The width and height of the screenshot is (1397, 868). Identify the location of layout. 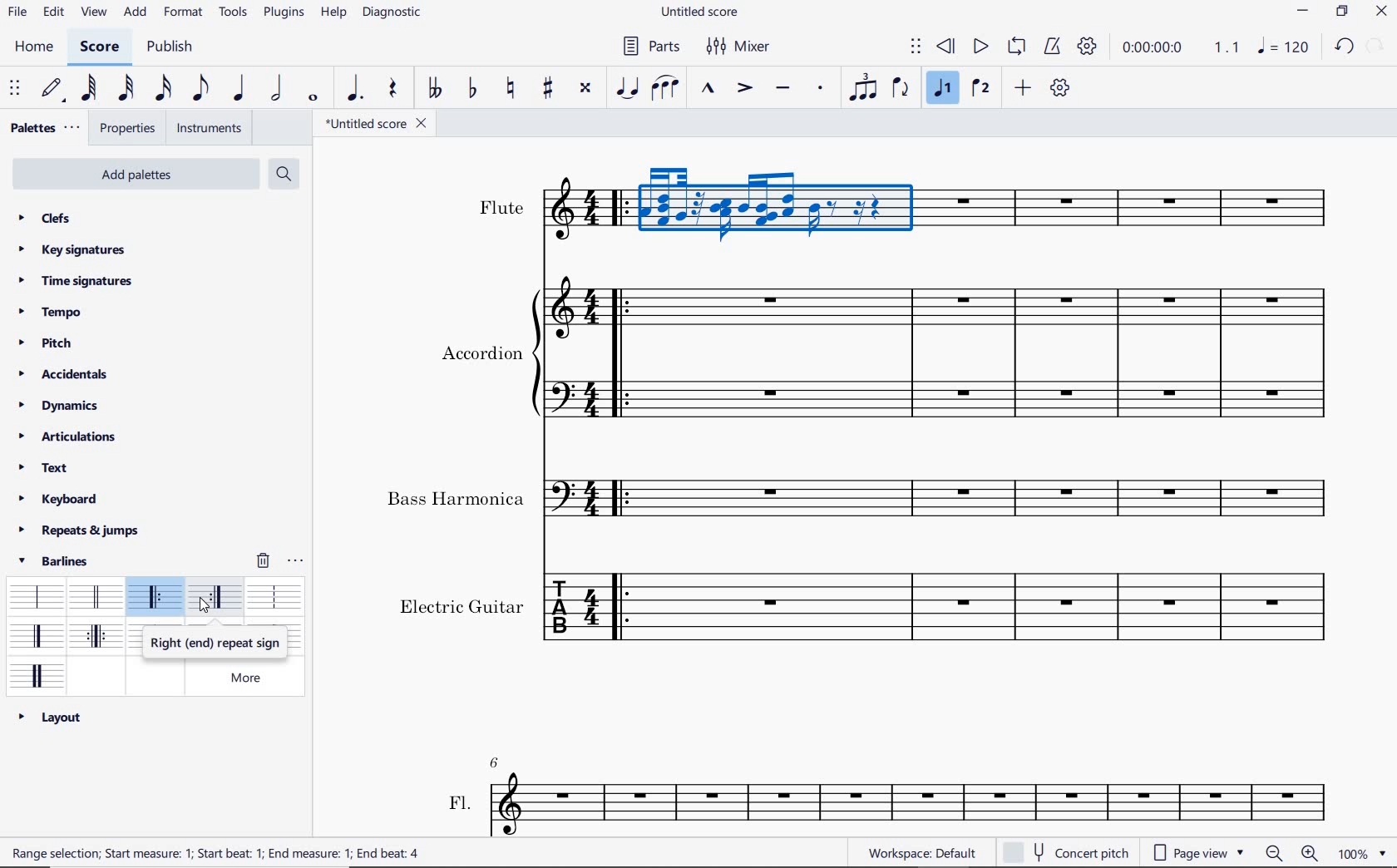
(50, 717).